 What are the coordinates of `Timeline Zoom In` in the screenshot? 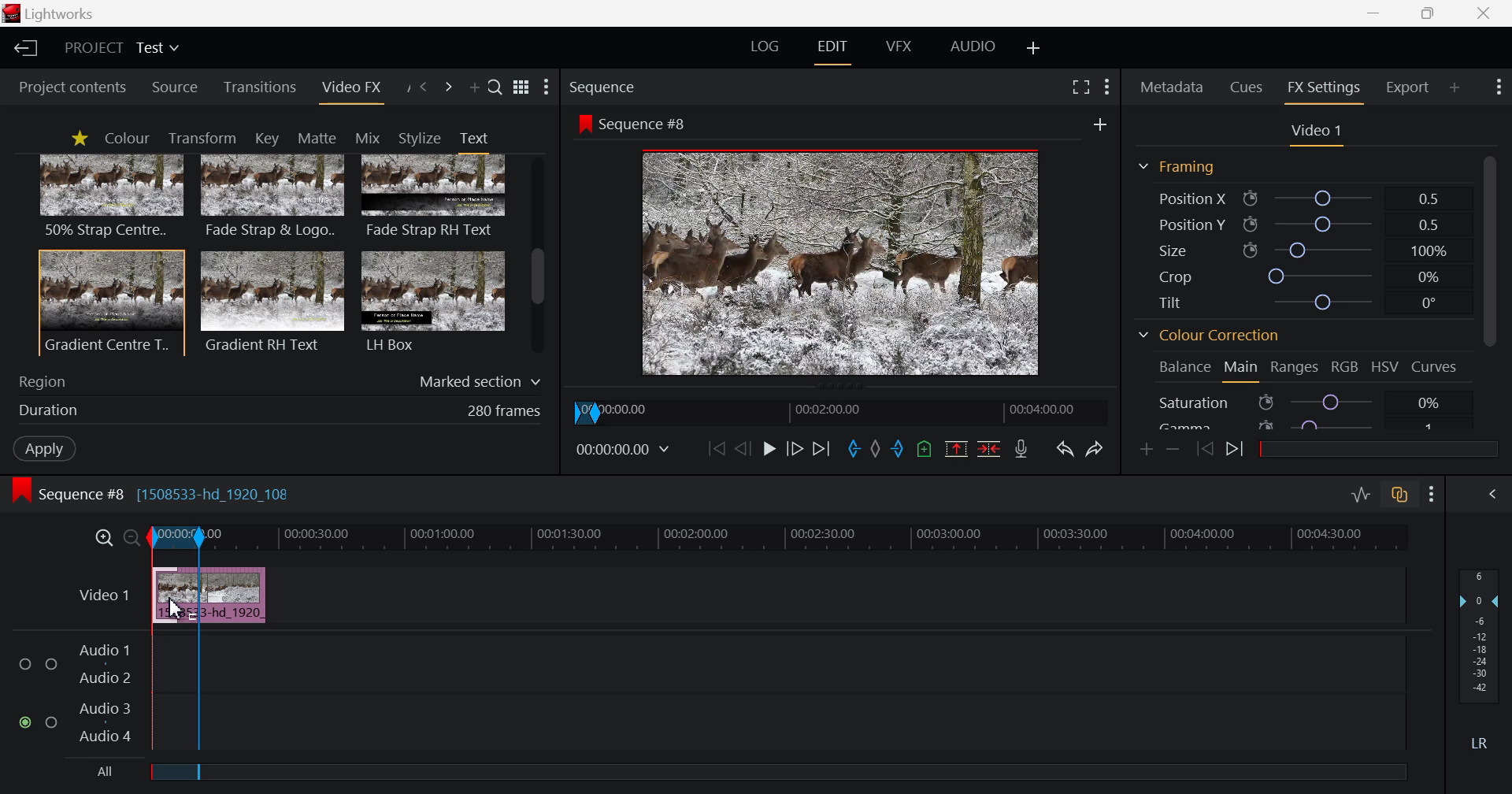 It's located at (104, 536).